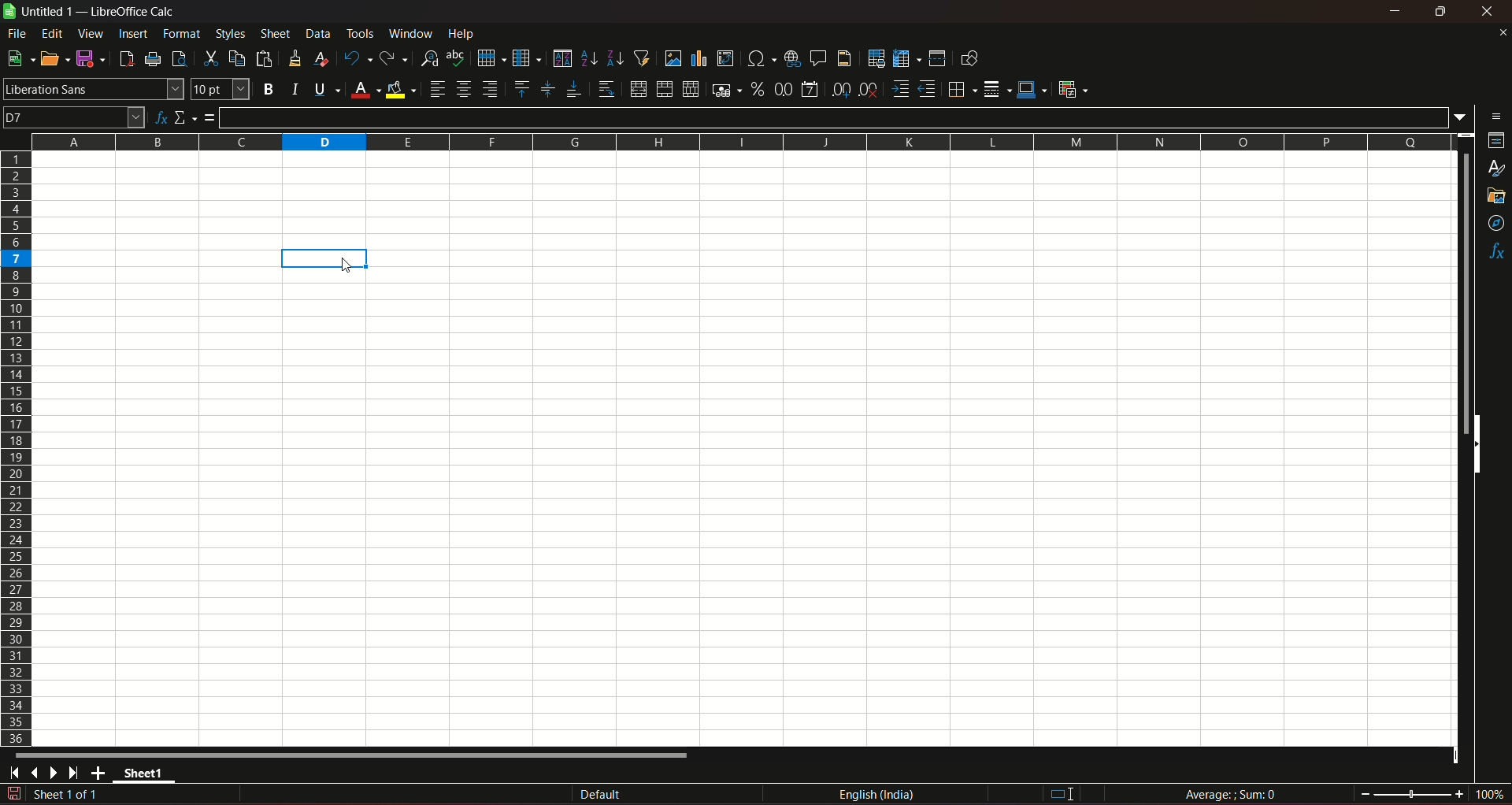 This screenshot has width=1512, height=805. What do you see at coordinates (134, 12) in the screenshot?
I see `title` at bounding box center [134, 12].